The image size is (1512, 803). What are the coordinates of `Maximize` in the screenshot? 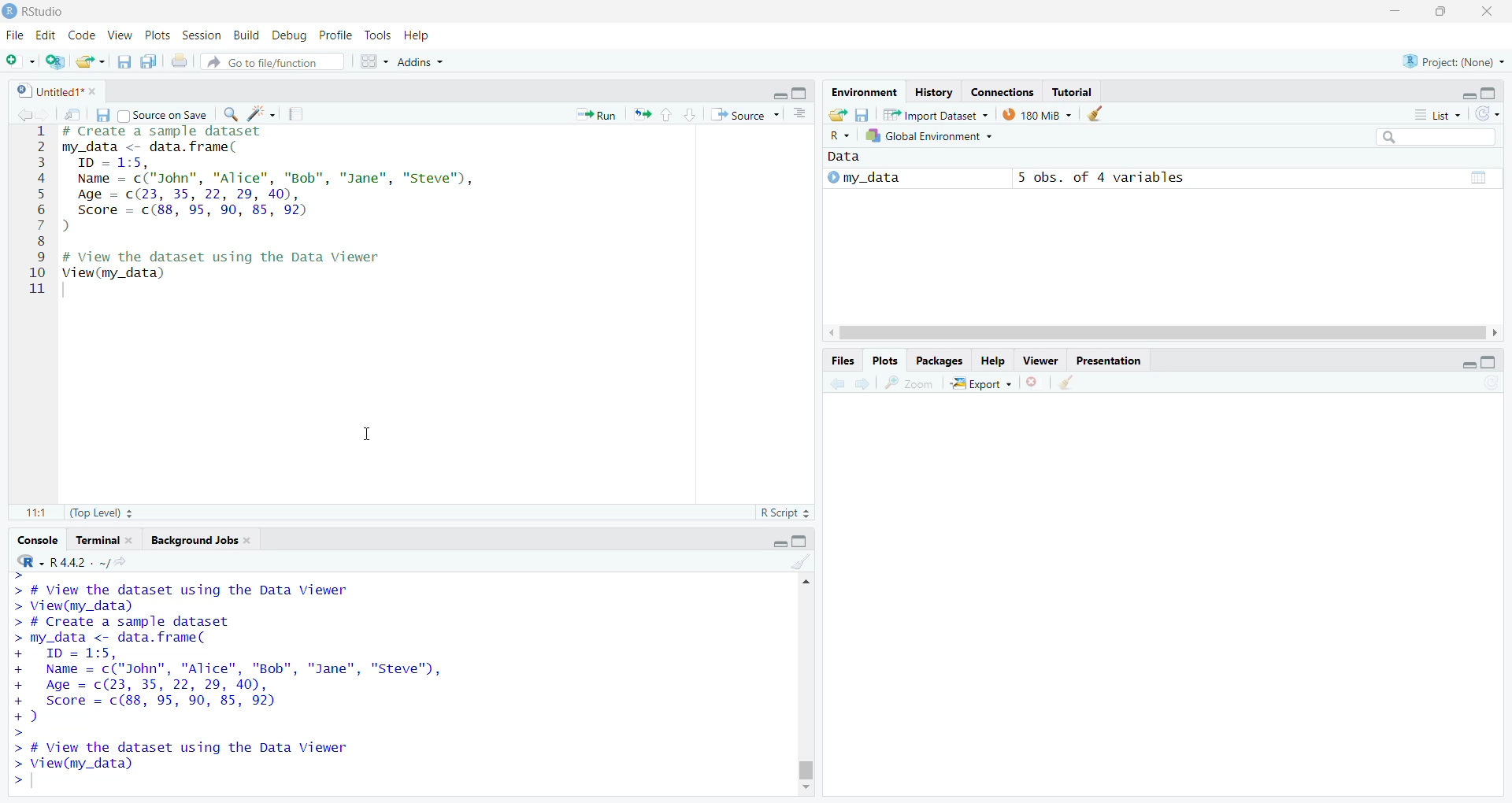 It's located at (1492, 364).